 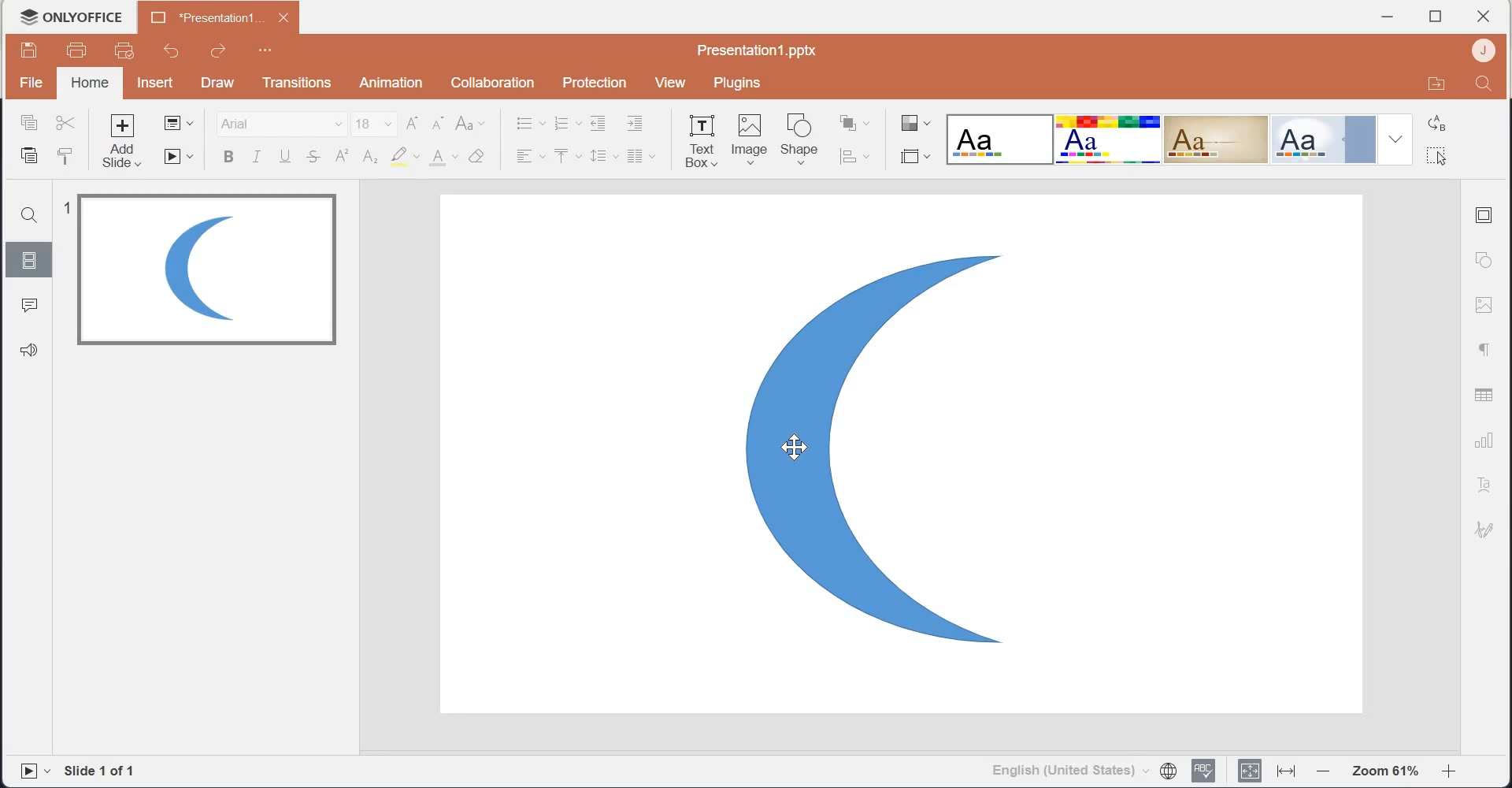 I want to click on Image, so click(x=1485, y=307).